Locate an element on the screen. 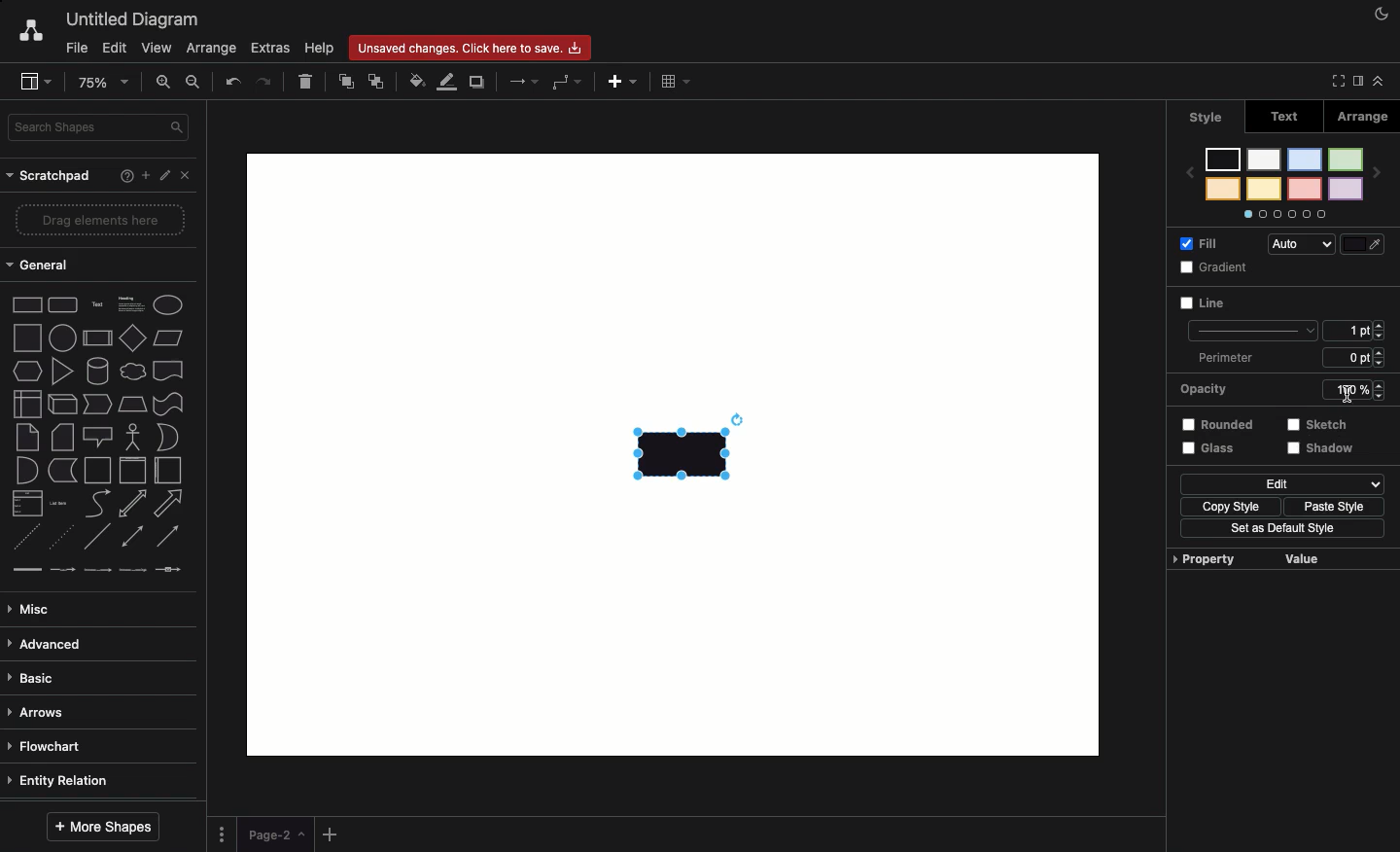 This screenshot has width=1400, height=852. actor is located at coordinates (135, 437).